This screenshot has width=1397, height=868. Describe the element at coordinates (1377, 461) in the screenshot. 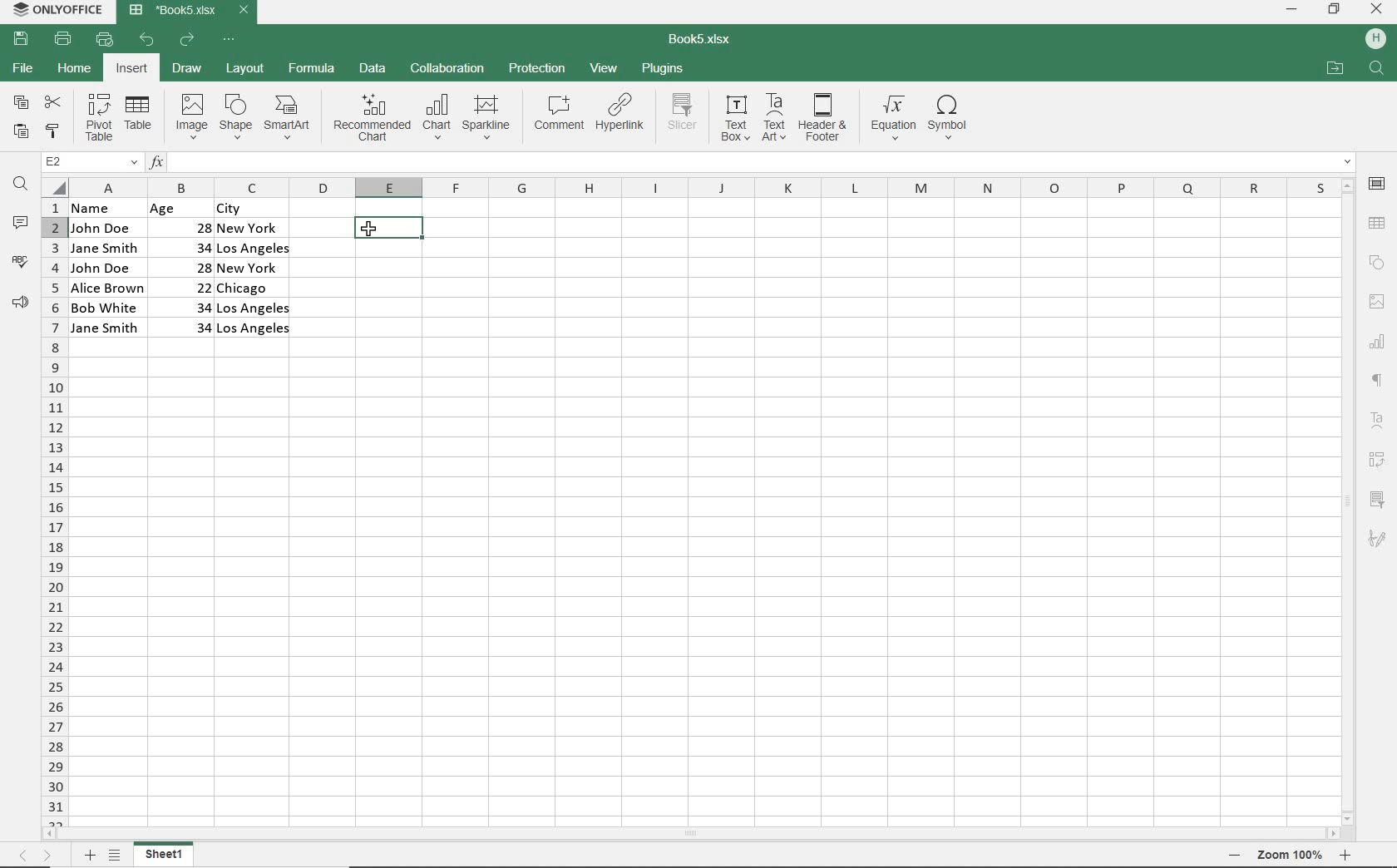

I see `PIVOT TABLE` at that location.